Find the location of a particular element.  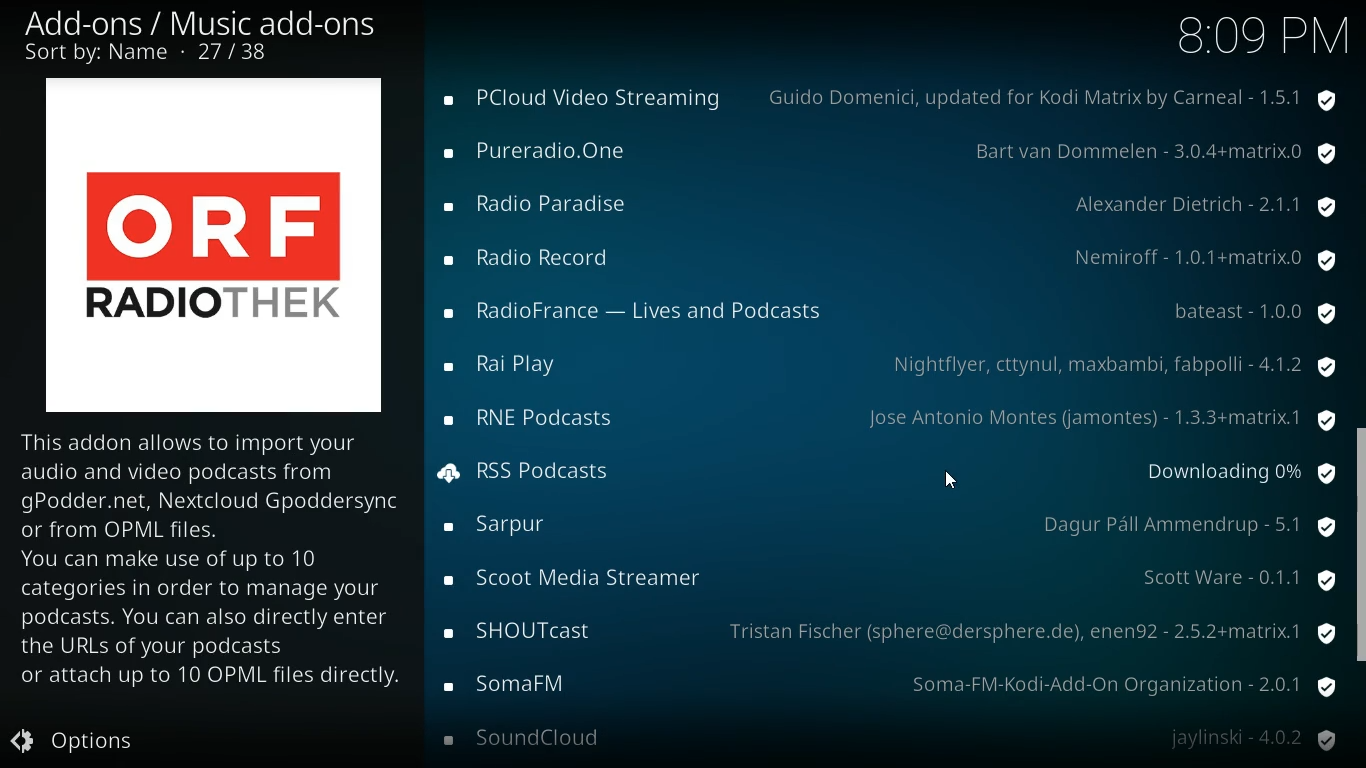

provider is located at coordinates (1187, 525).